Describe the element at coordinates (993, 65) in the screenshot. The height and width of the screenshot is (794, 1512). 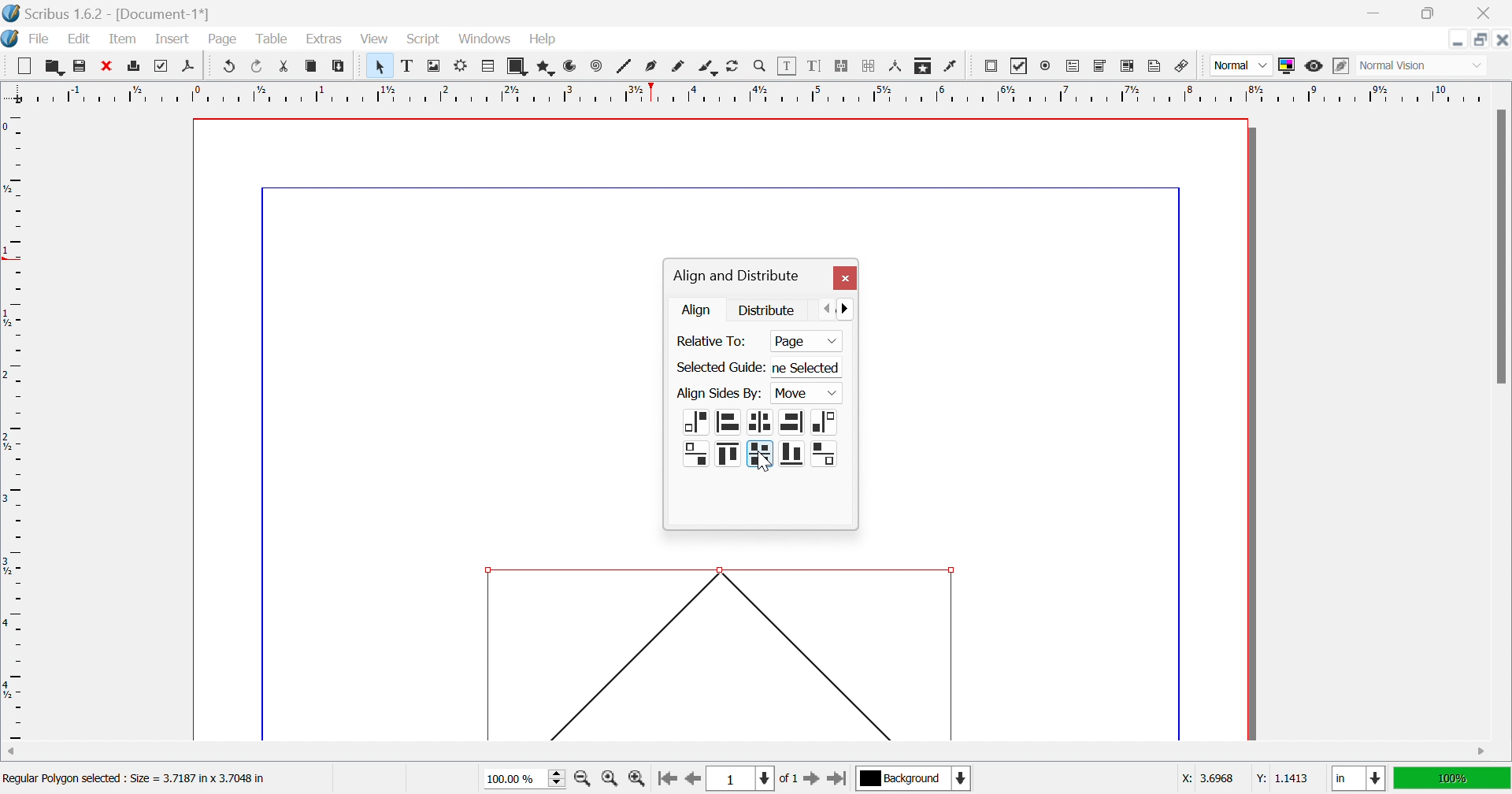
I see `PDF push button` at that location.